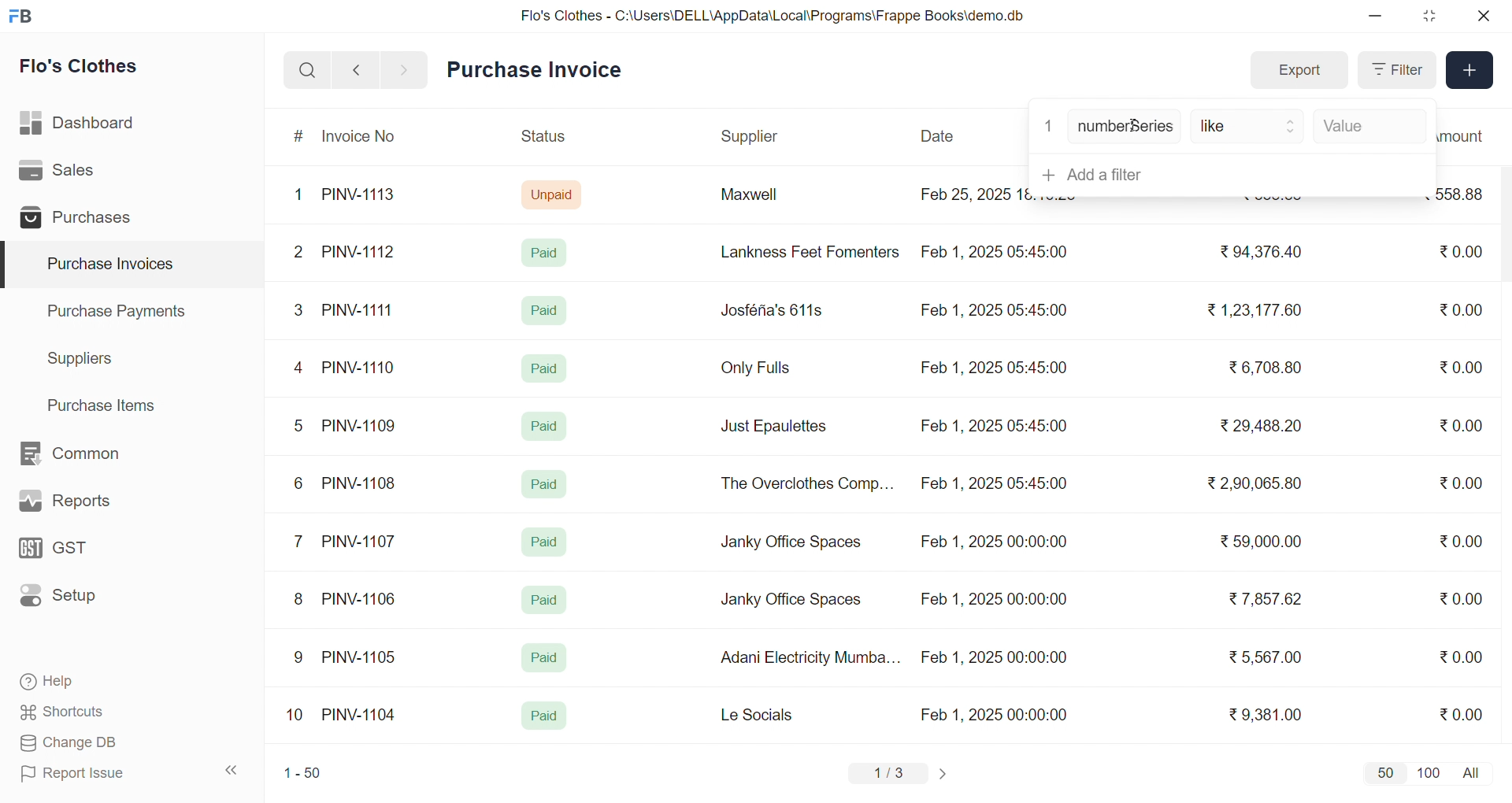 The width and height of the screenshot is (1512, 803). I want to click on ₹29,488.20, so click(1256, 426).